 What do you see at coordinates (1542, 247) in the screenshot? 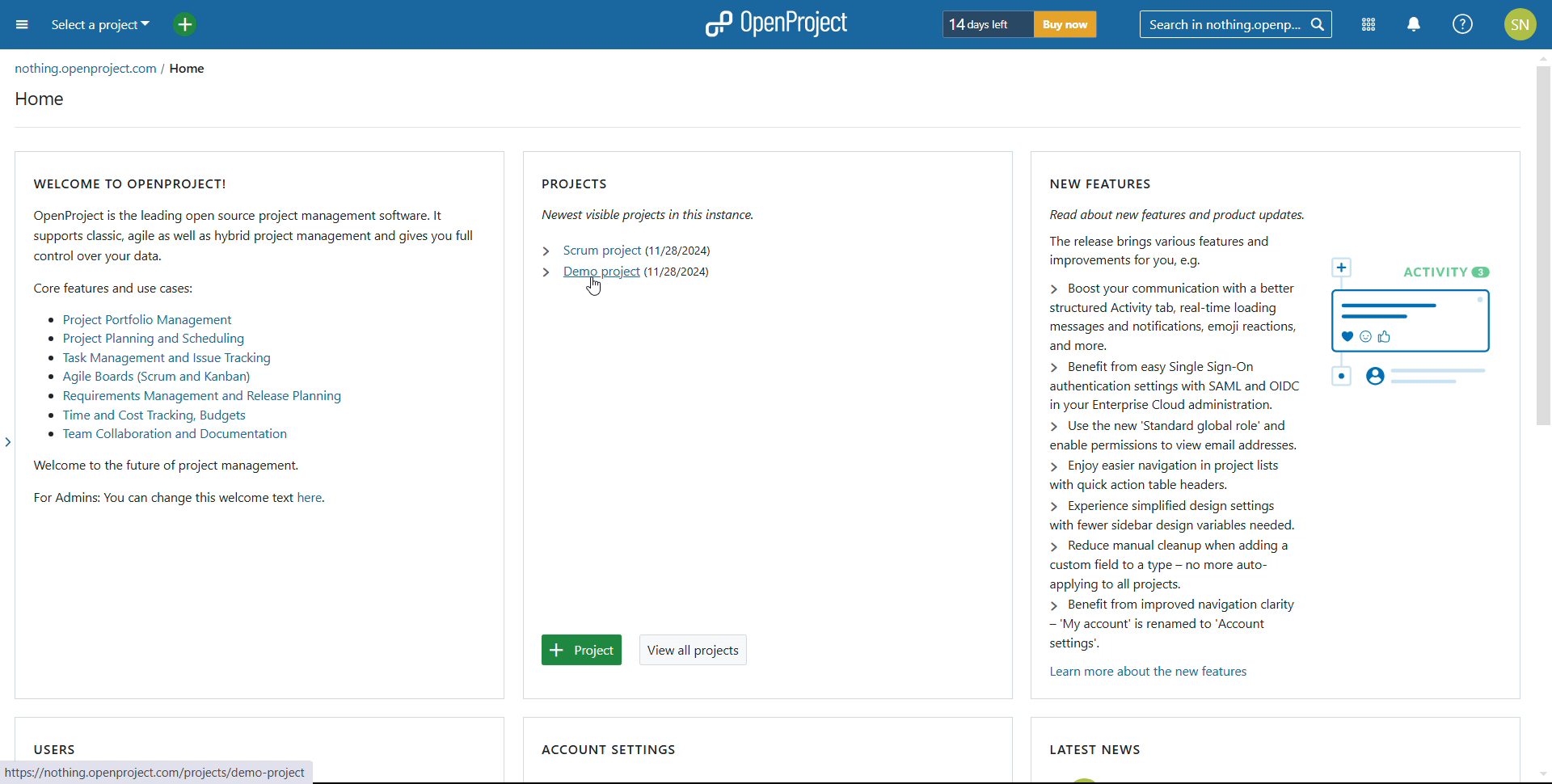
I see `scrollbar` at bounding box center [1542, 247].